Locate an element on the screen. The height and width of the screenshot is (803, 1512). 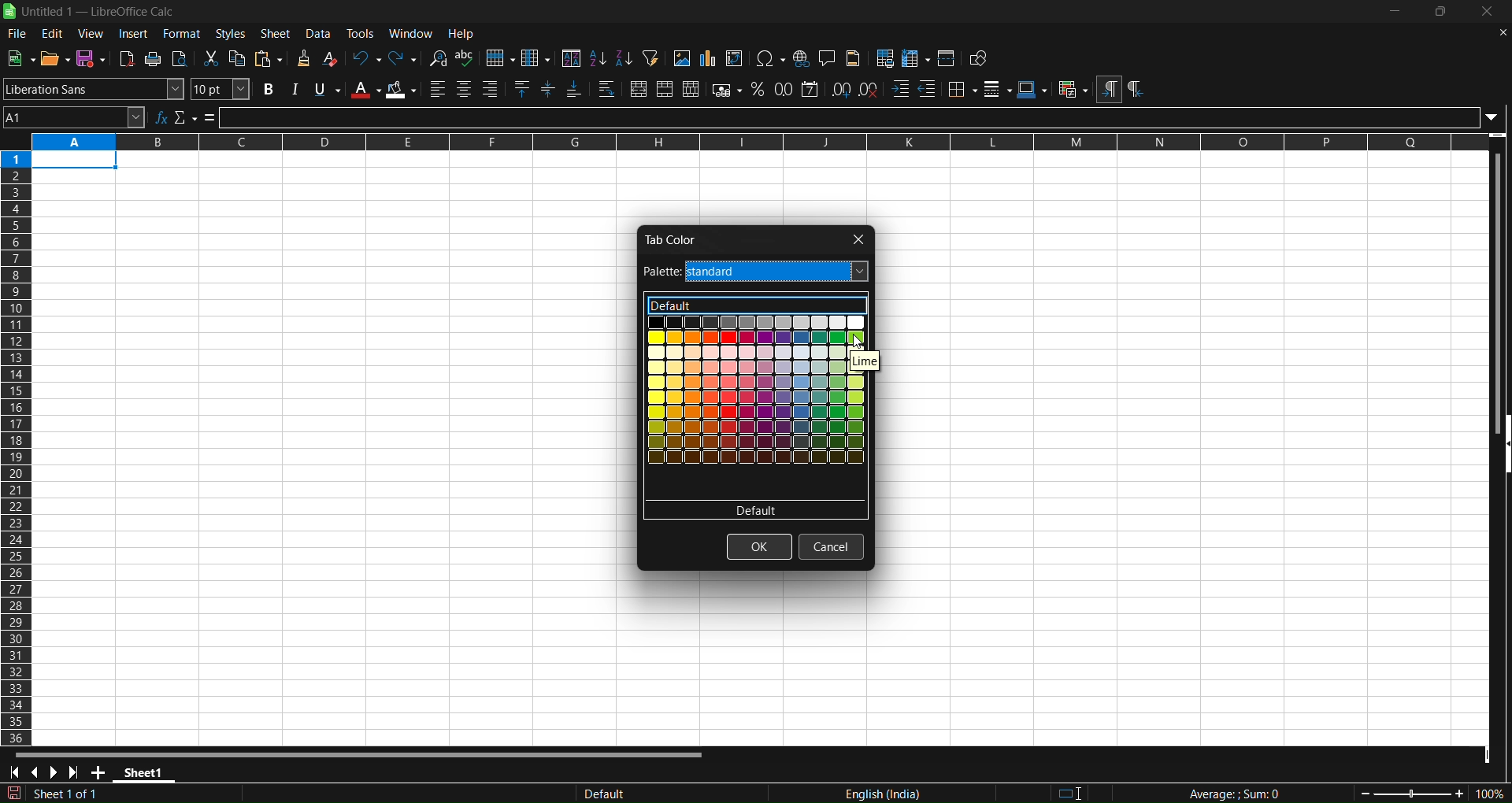
decrease indent is located at coordinates (928, 89).